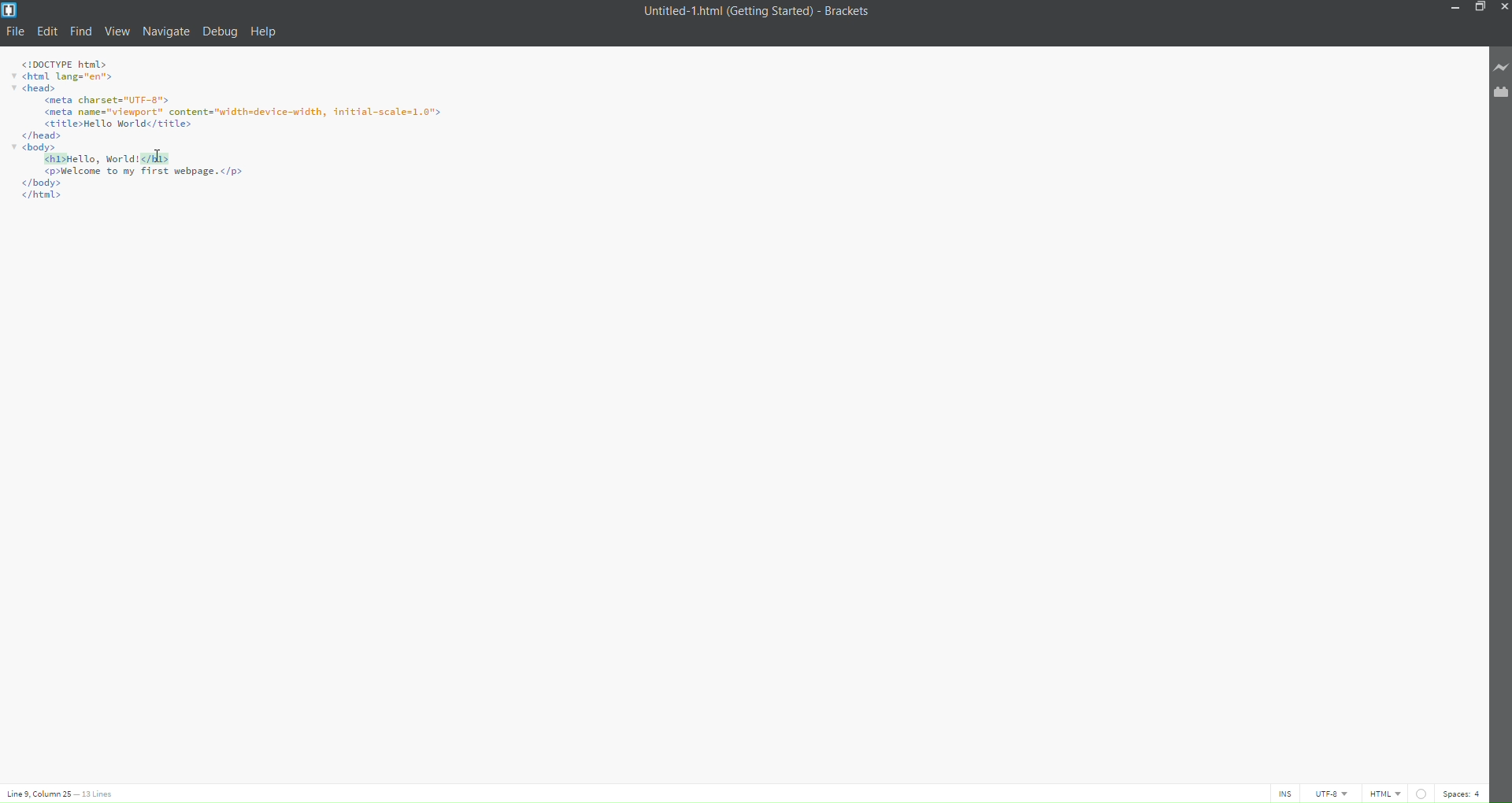 The height and width of the screenshot is (803, 1512). What do you see at coordinates (1497, 68) in the screenshot?
I see `live preview` at bounding box center [1497, 68].